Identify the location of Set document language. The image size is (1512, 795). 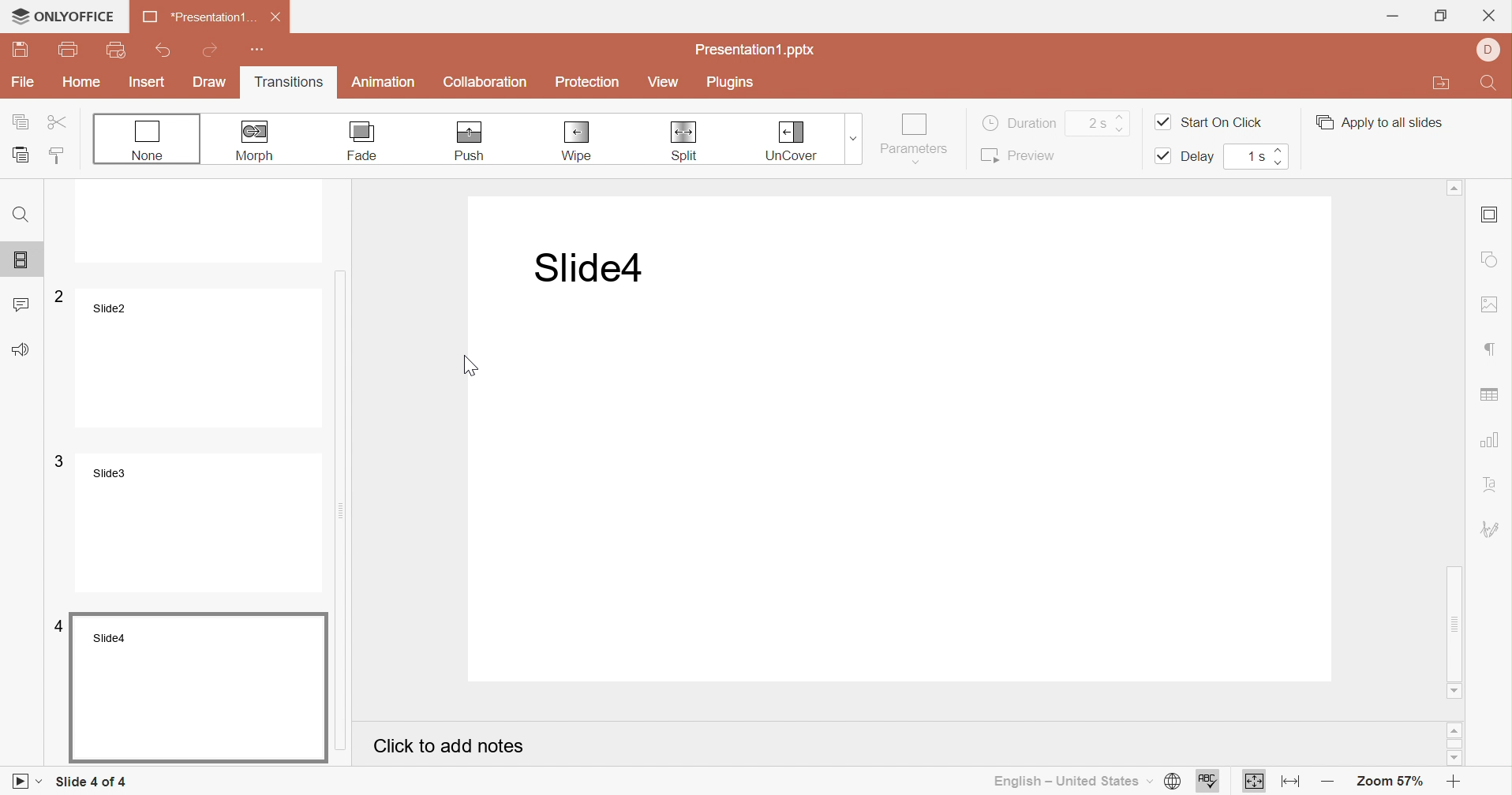
(1175, 783).